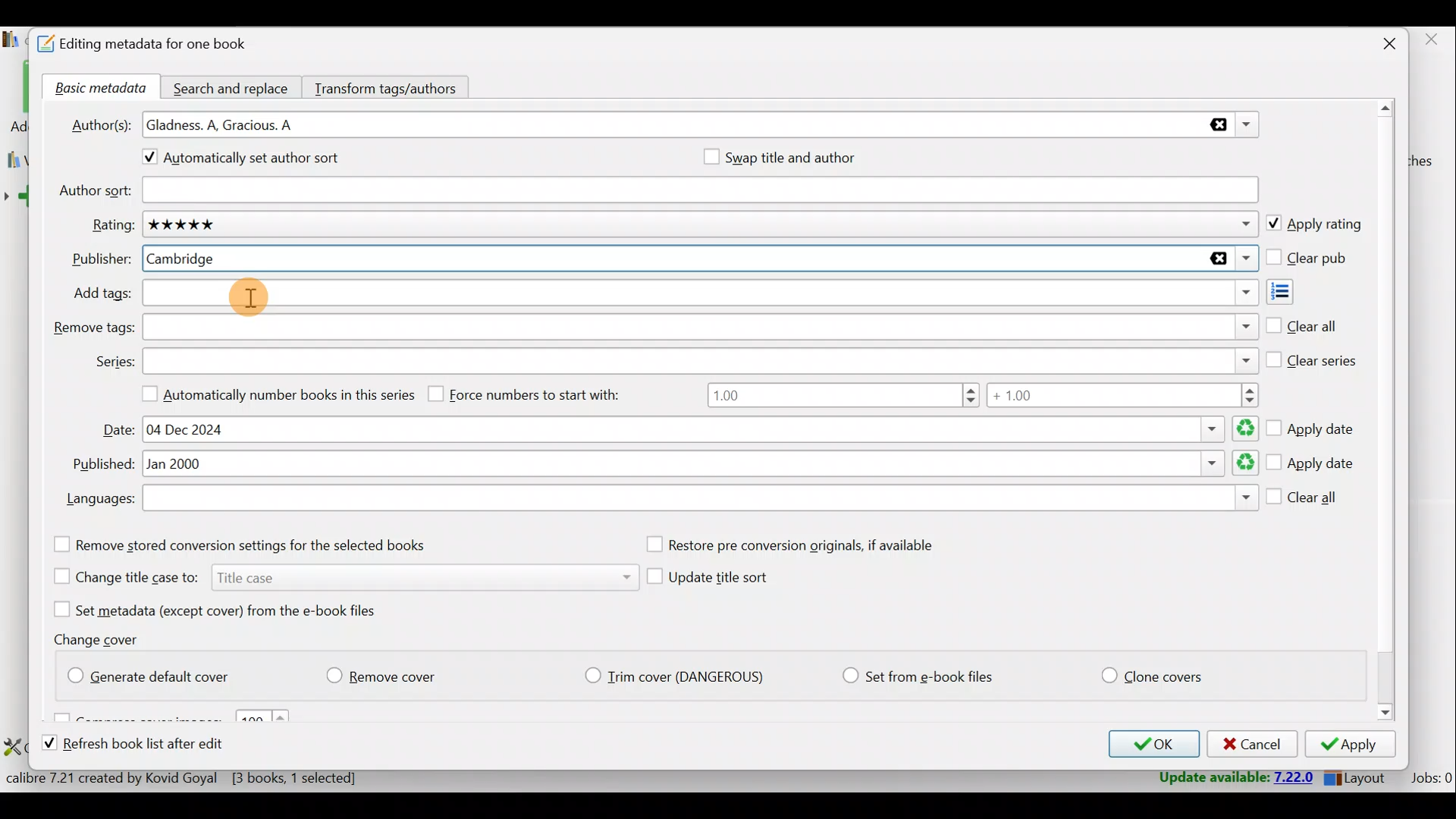  Describe the element at coordinates (1382, 45) in the screenshot. I see `Close` at that location.